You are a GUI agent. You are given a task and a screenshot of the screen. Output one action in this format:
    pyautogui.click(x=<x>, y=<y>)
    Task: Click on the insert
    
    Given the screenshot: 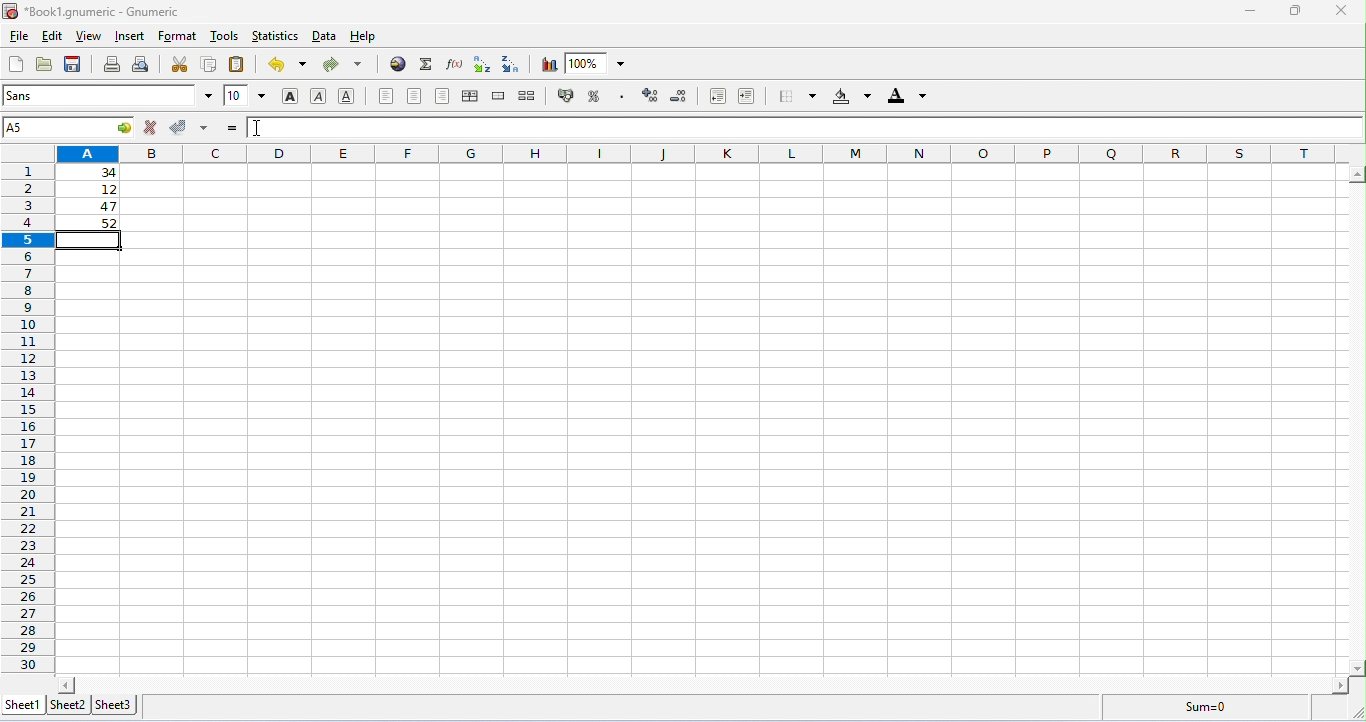 What is the action you would take?
    pyautogui.click(x=132, y=36)
    